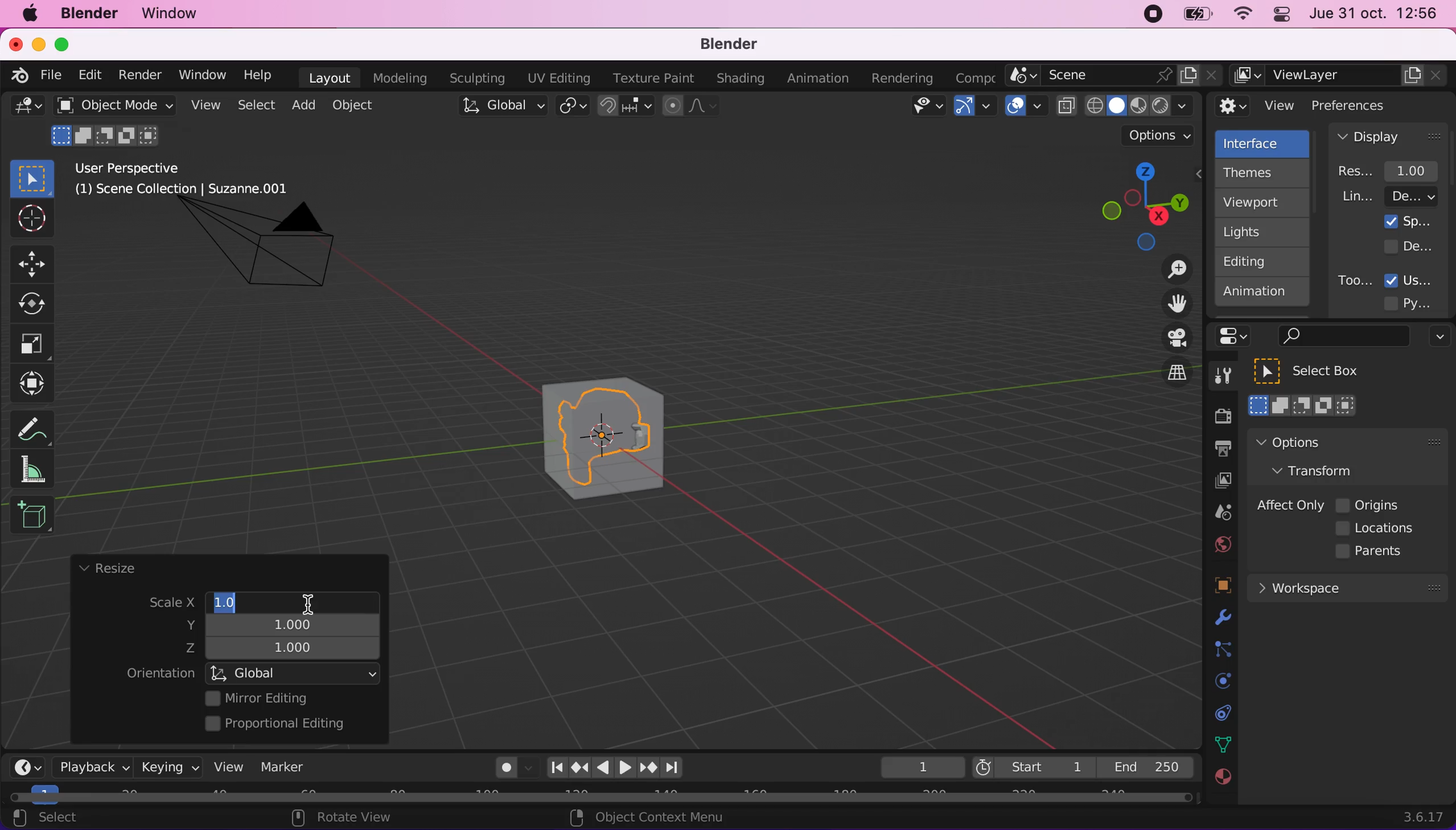  I want to click on blender, so click(15, 74).